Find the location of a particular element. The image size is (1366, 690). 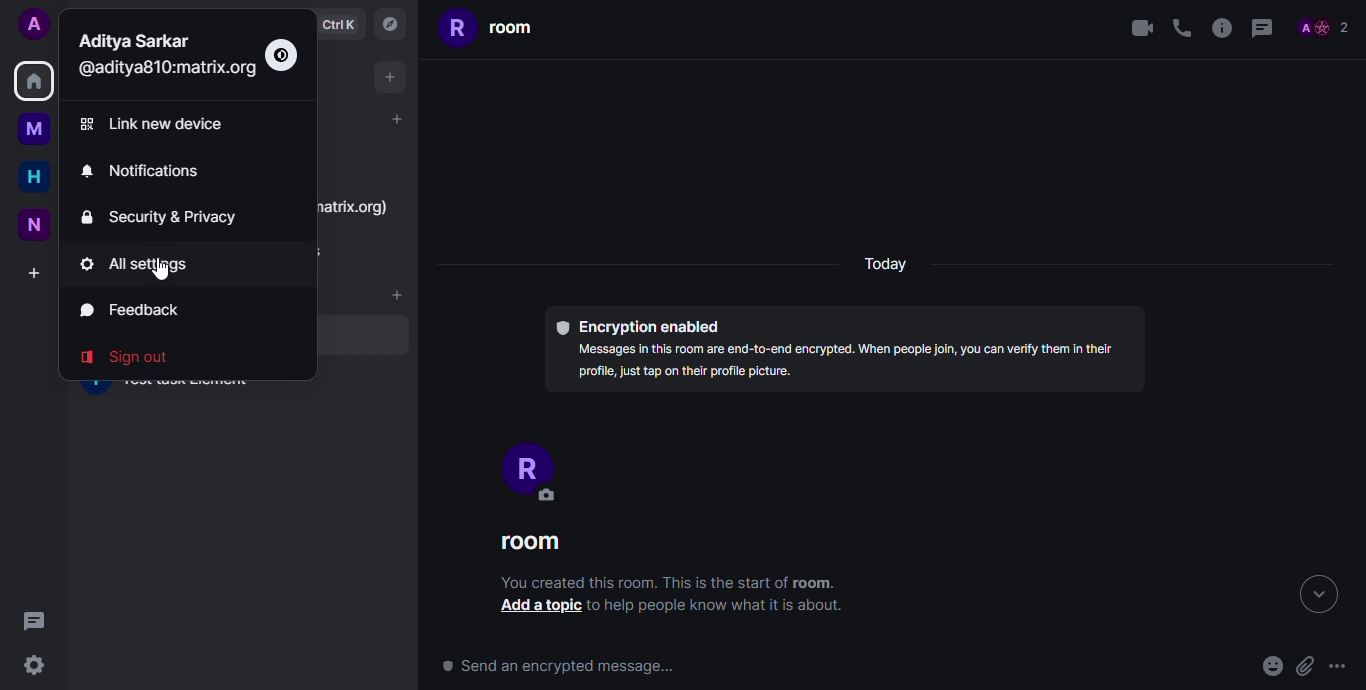

threads is located at coordinates (1263, 29).